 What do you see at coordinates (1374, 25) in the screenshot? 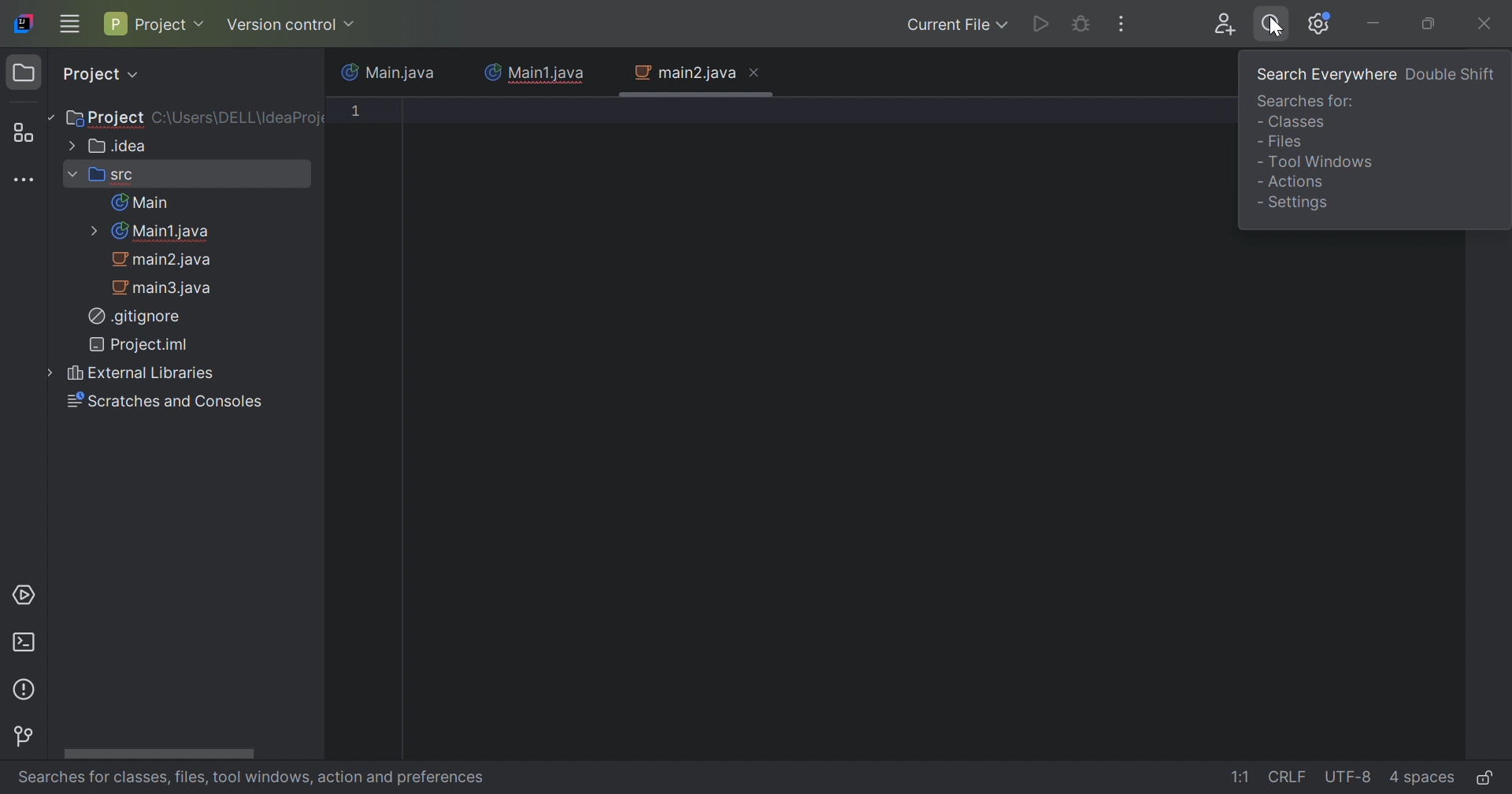
I see `Minimize` at bounding box center [1374, 25].